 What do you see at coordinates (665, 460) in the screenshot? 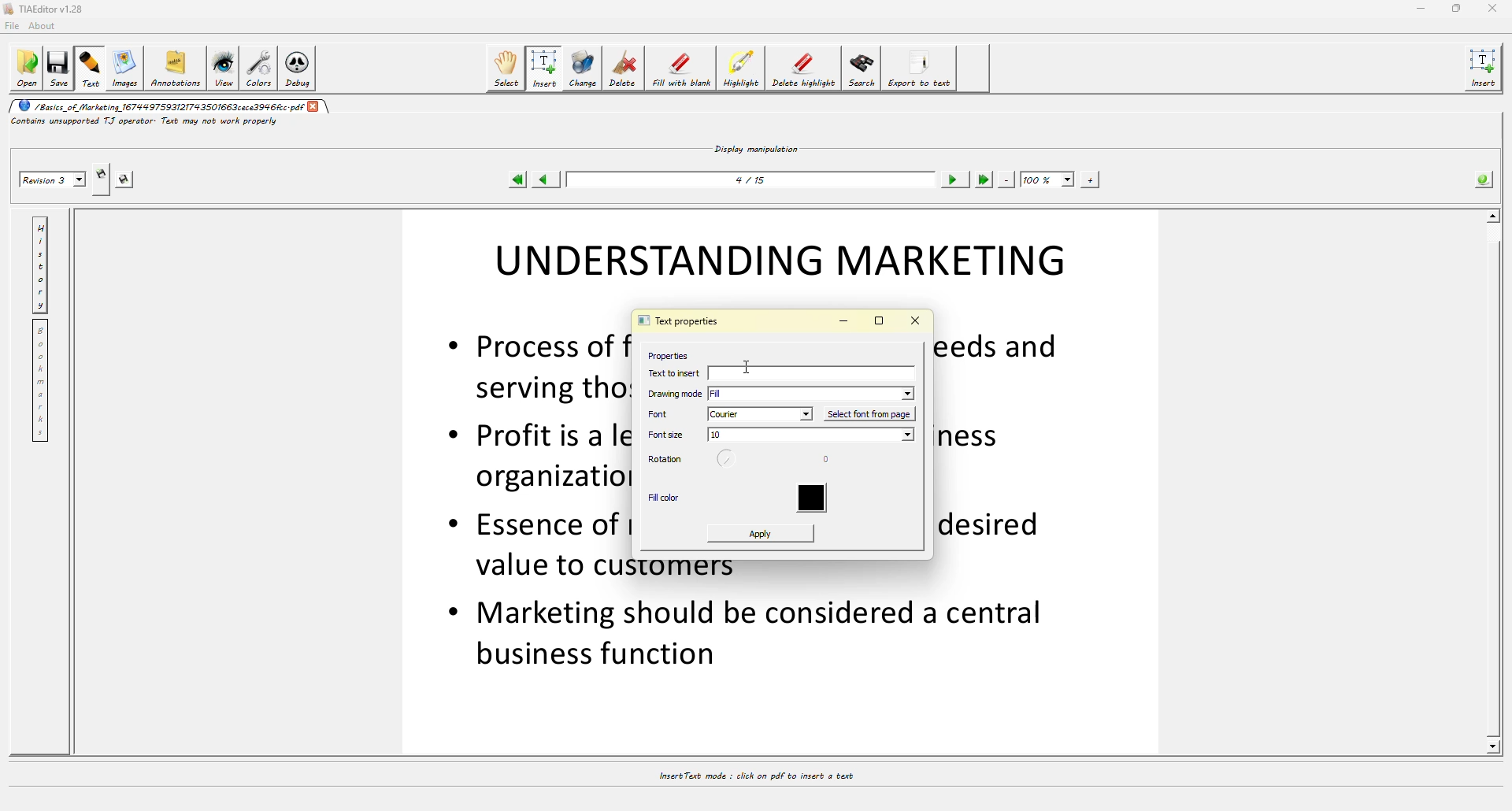
I see `rotation` at bounding box center [665, 460].